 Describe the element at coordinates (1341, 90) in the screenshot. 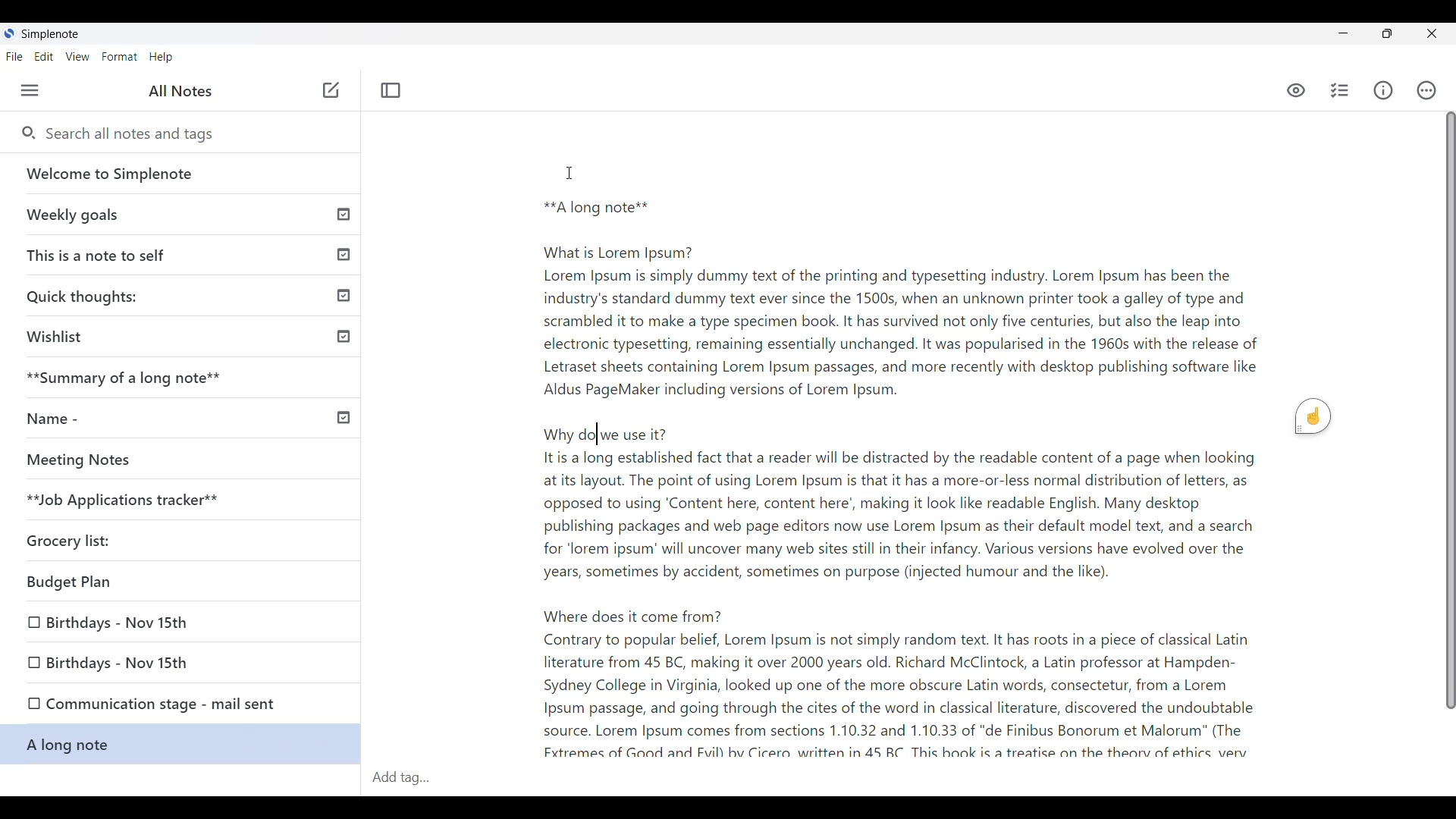

I see `Insert checklist` at that location.